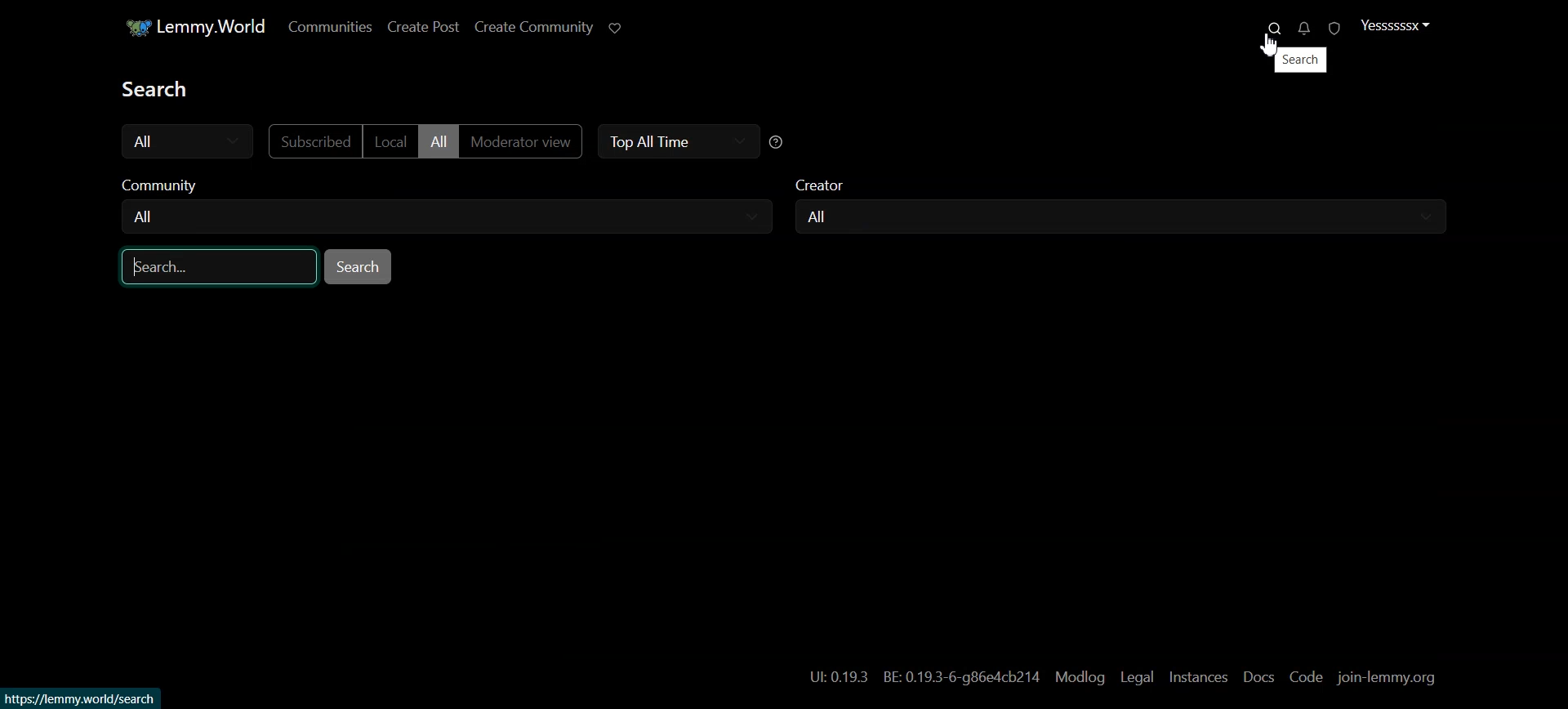 This screenshot has height=709, width=1568. What do you see at coordinates (1269, 44) in the screenshot?
I see `Cursor` at bounding box center [1269, 44].